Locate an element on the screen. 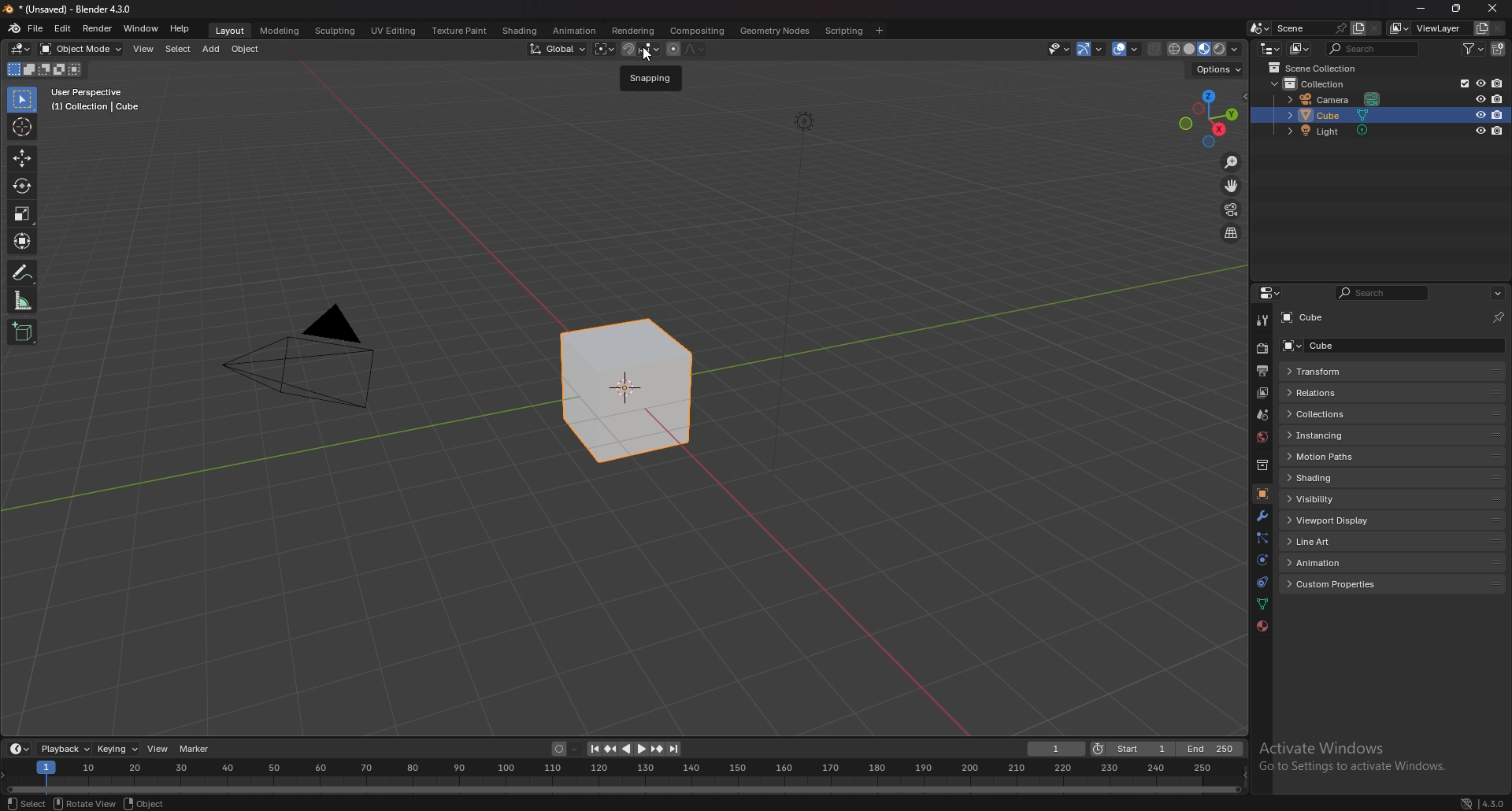 This screenshot has width=1512, height=811. hide in viewport is located at coordinates (1480, 83).